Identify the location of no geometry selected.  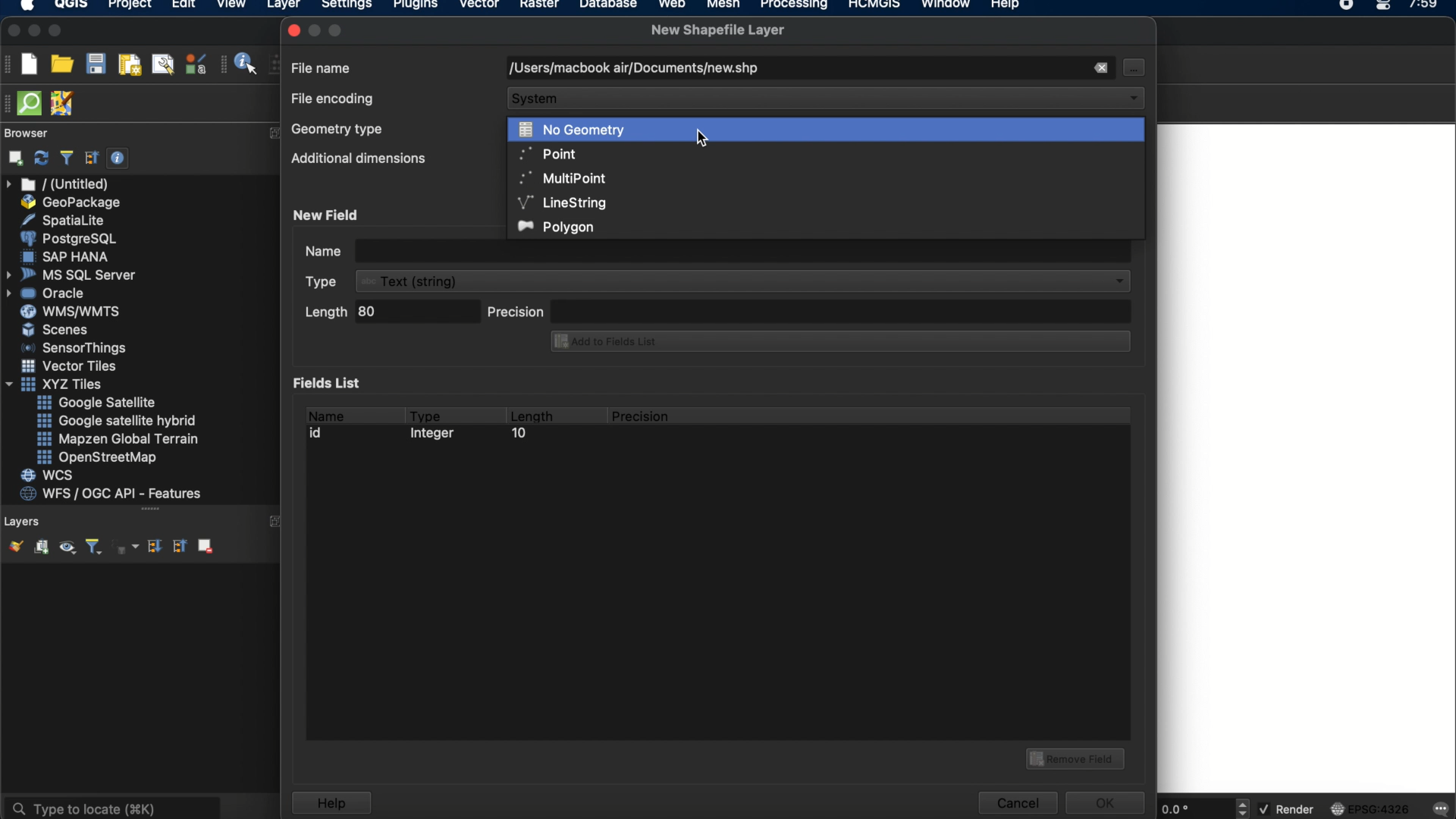
(827, 129).